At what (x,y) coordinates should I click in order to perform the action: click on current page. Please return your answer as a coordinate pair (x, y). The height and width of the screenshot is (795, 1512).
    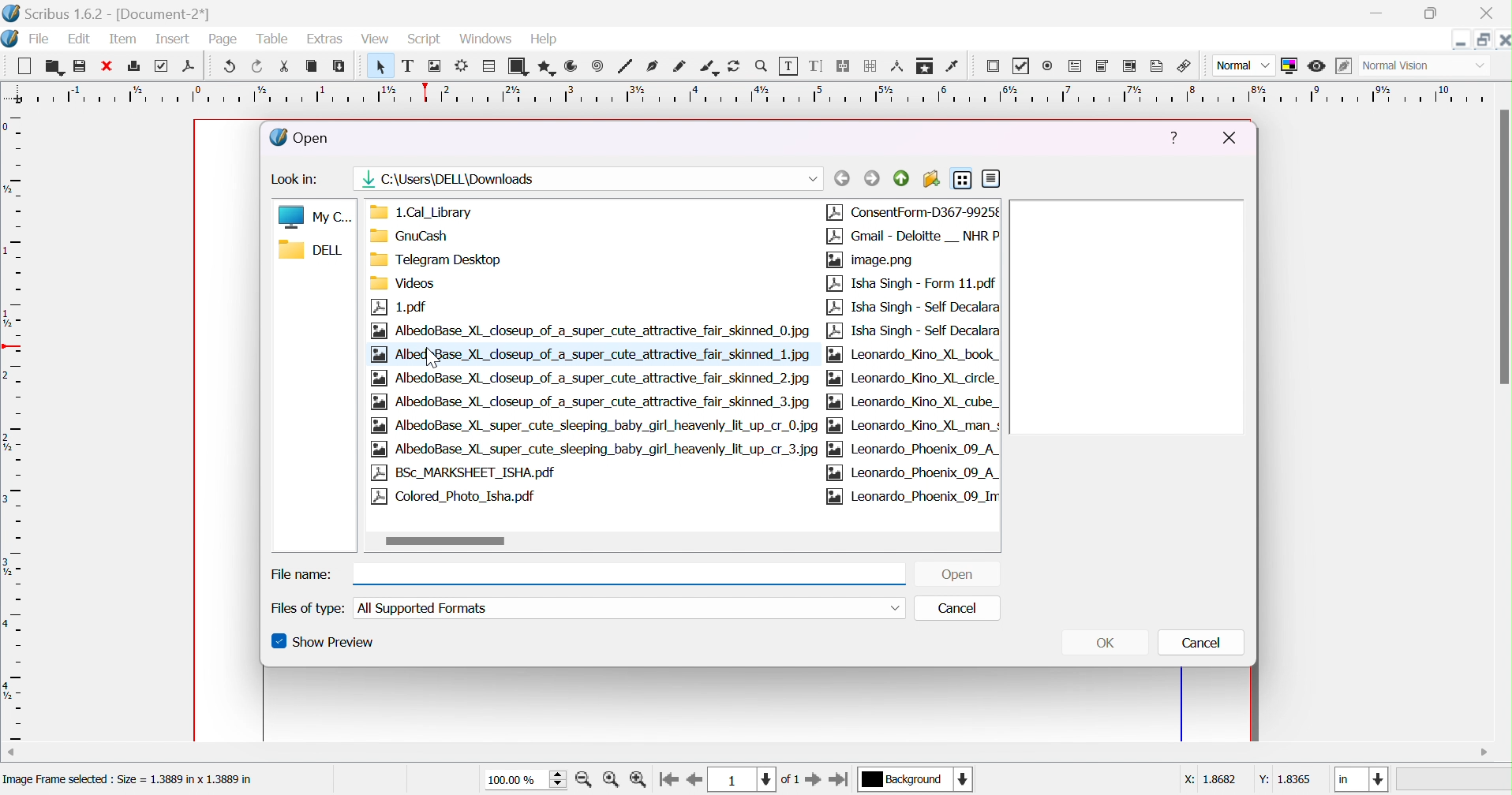
    Looking at the image, I should click on (757, 779).